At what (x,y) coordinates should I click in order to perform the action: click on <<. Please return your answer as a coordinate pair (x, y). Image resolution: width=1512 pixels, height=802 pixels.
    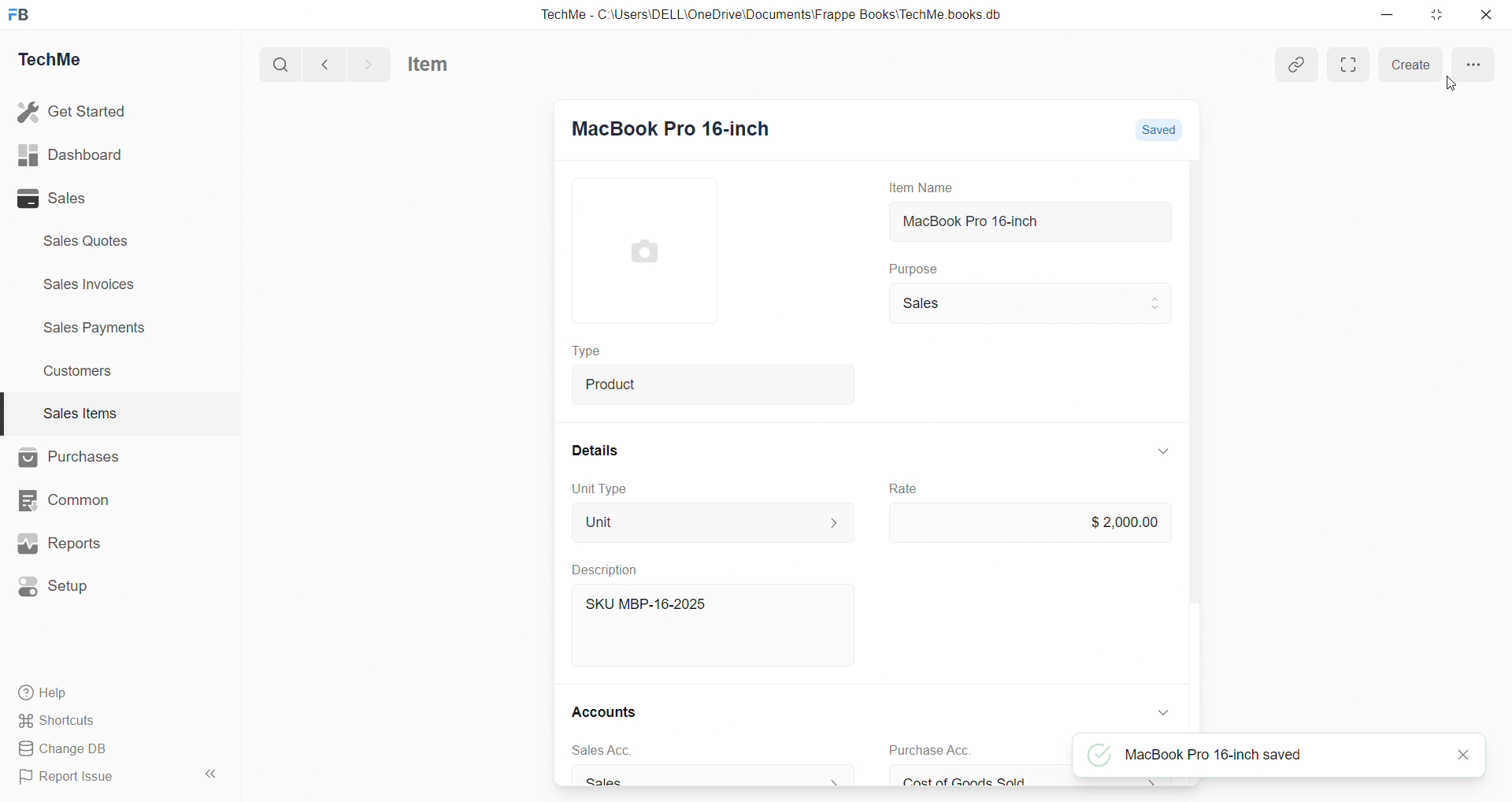
    Looking at the image, I should click on (209, 774).